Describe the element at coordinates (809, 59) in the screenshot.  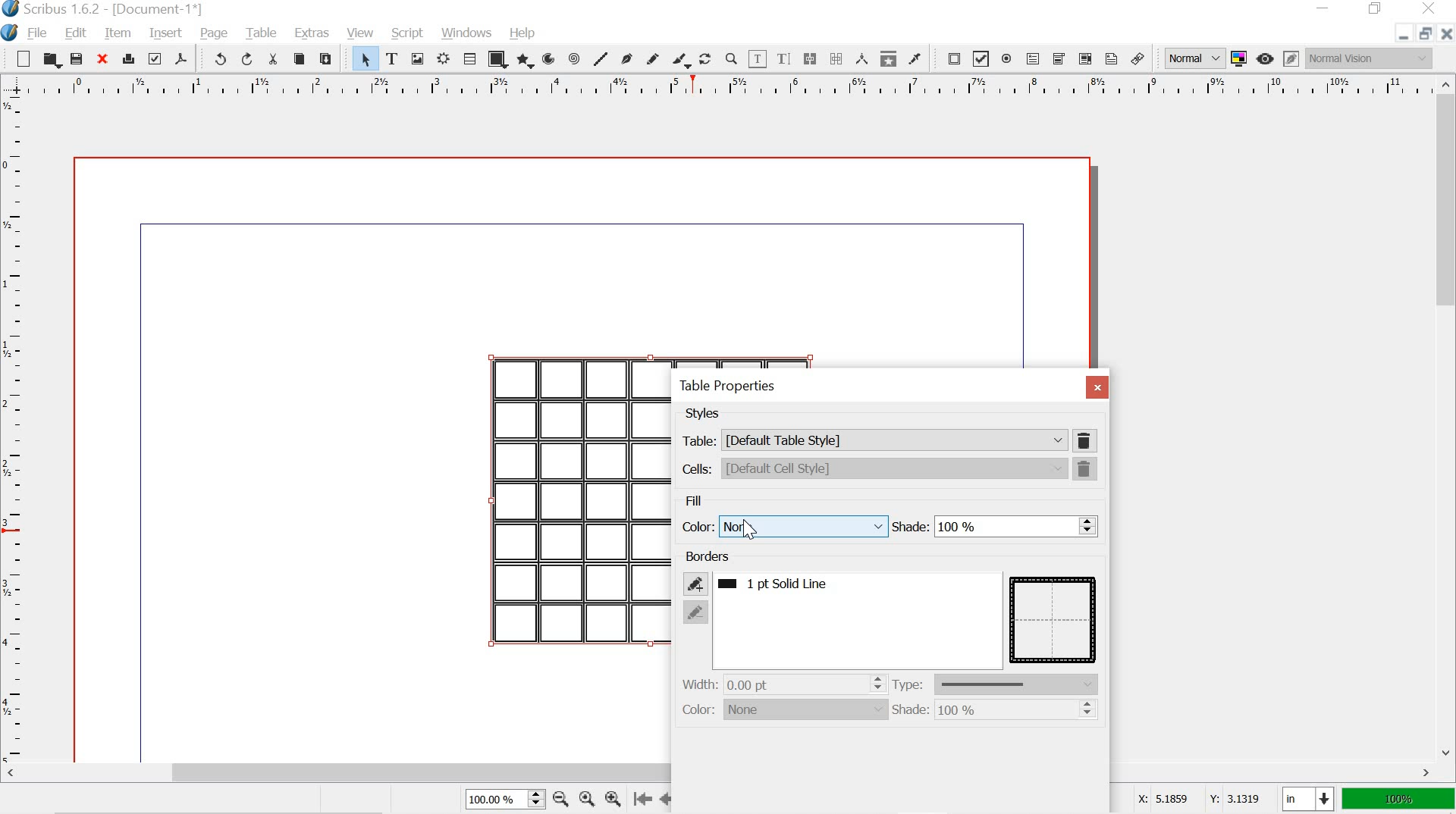
I see `link text frames` at that location.